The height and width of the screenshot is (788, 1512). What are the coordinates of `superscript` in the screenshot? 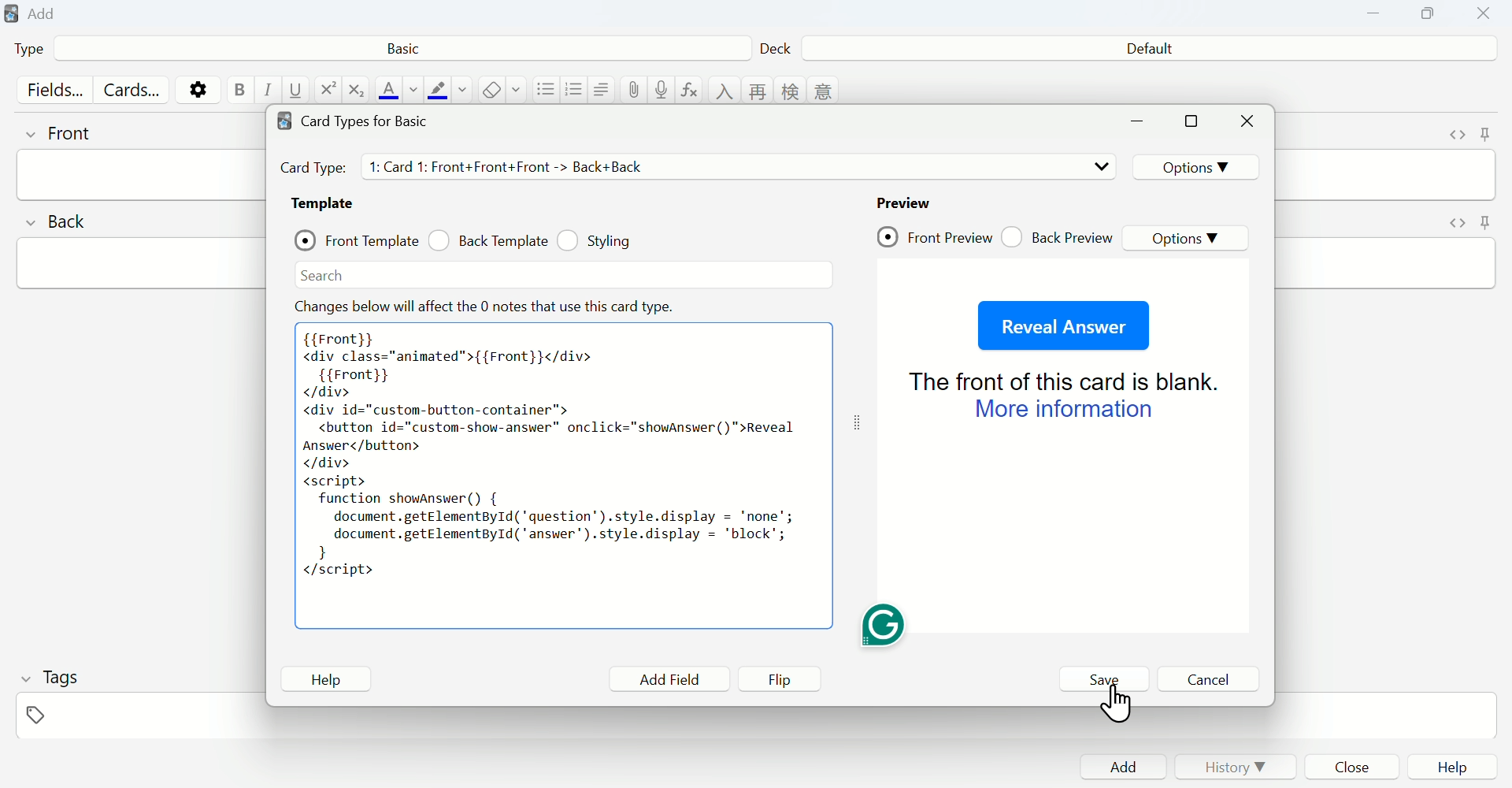 It's located at (328, 90).